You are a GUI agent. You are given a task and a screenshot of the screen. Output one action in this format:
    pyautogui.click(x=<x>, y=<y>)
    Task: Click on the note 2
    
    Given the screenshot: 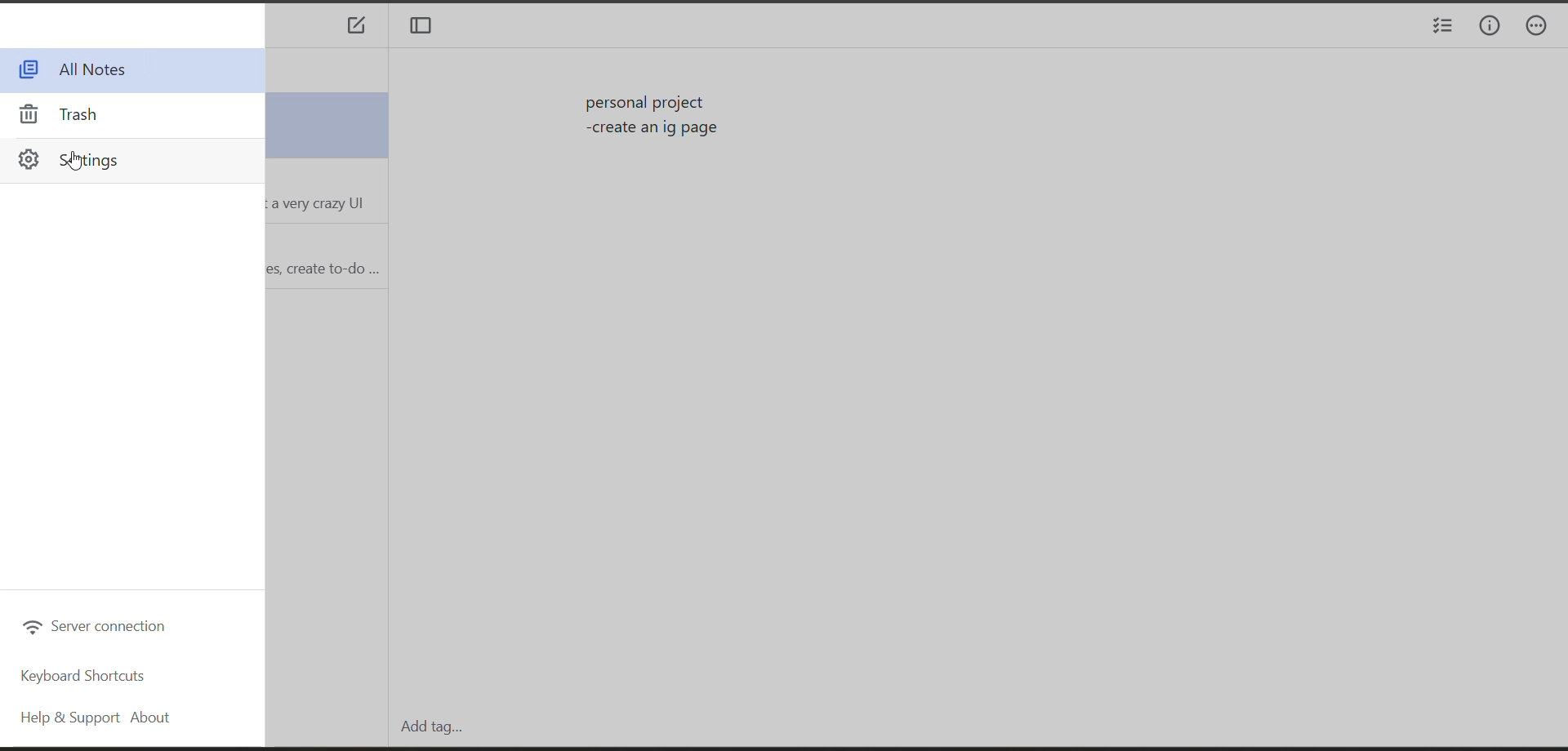 What is the action you would take?
    pyautogui.click(x=323, y=192)
    